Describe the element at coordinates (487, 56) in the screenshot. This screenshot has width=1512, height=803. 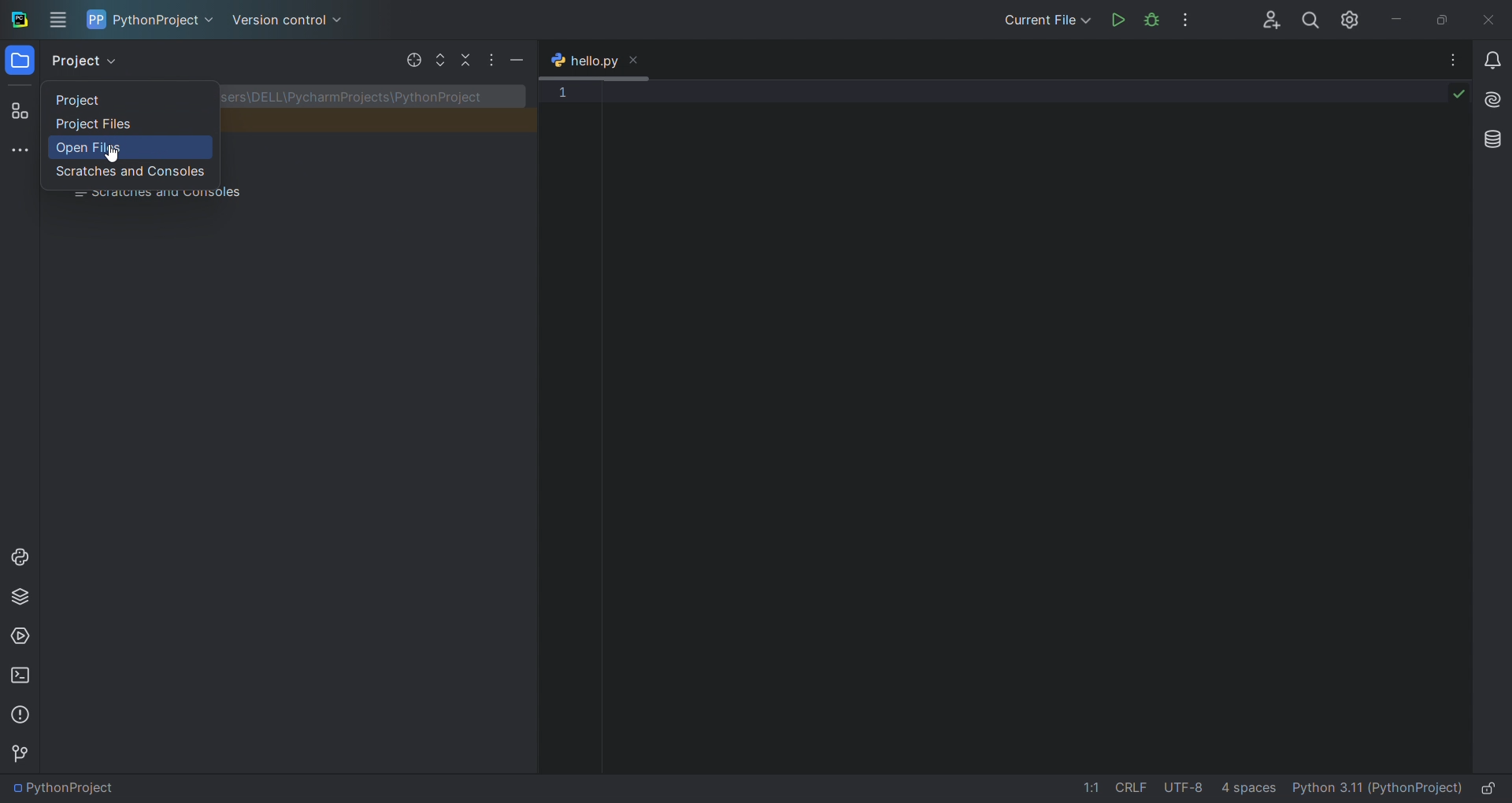
I see `options` at that location.